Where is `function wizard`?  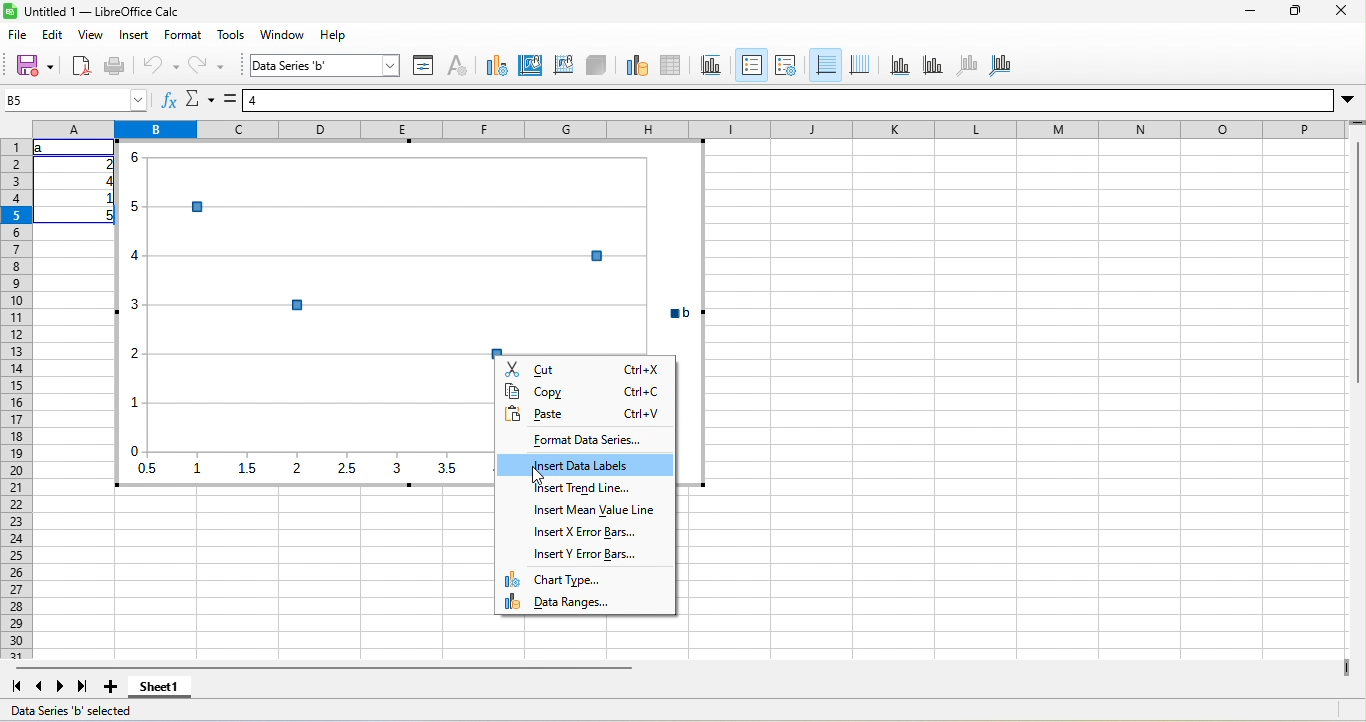 function wizard is located at coordinates (170, 99).